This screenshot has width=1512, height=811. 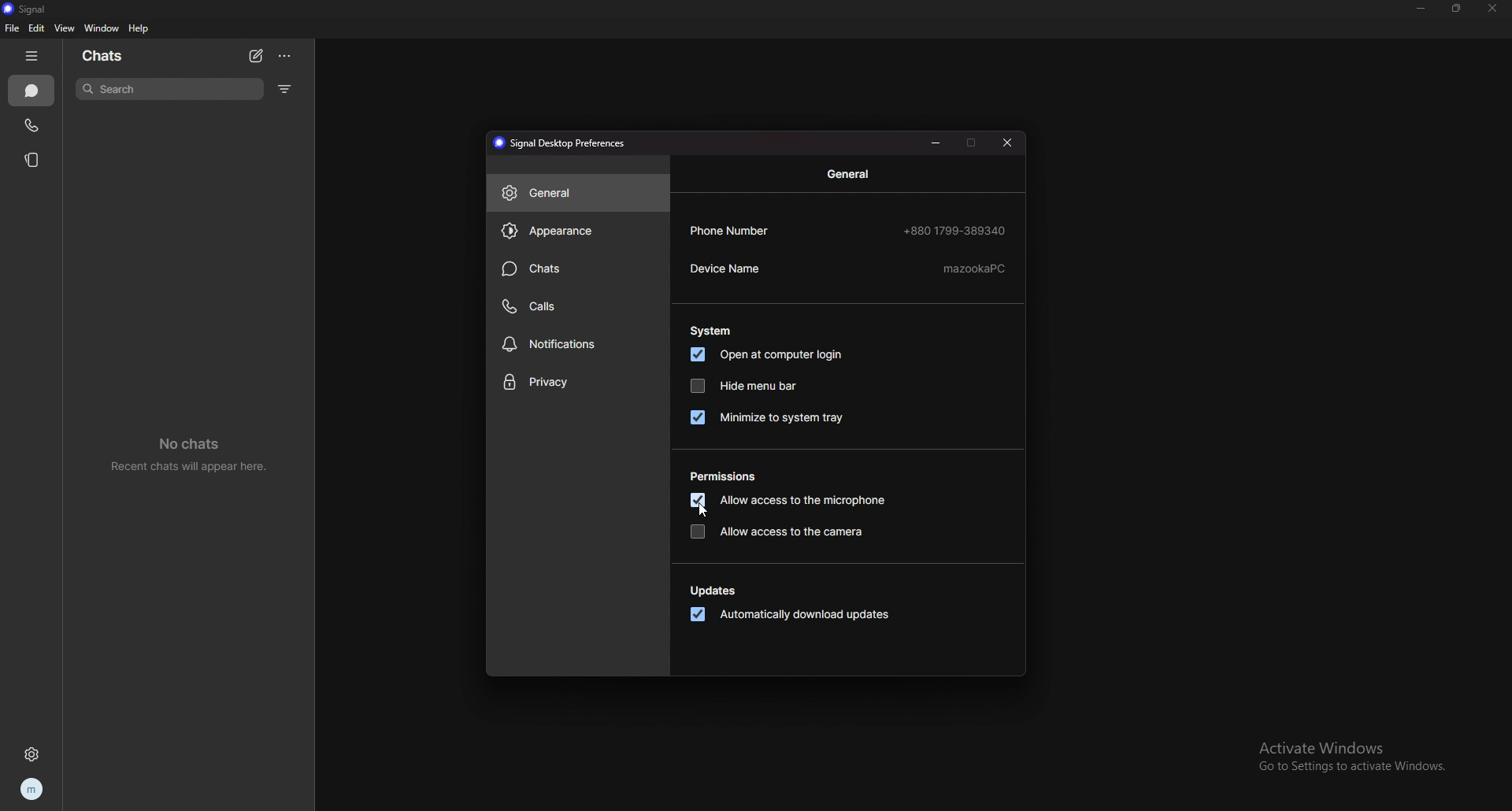 I want to click on minimize to system tray, so click(x=769, y=416).